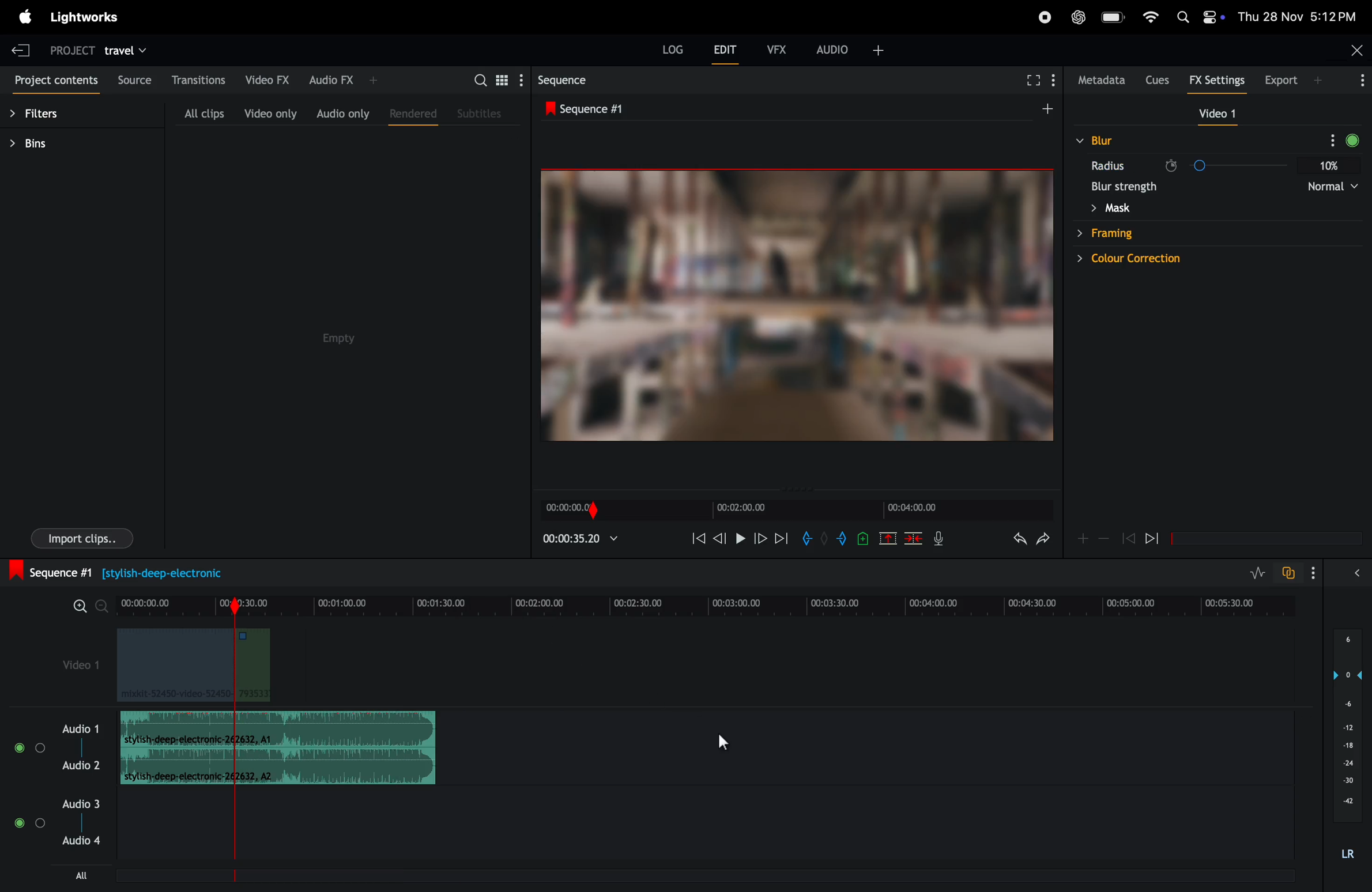 Image resolution: width=1372 pixels, height=892 pixels. I want to click on rewind, so click(696, 541).